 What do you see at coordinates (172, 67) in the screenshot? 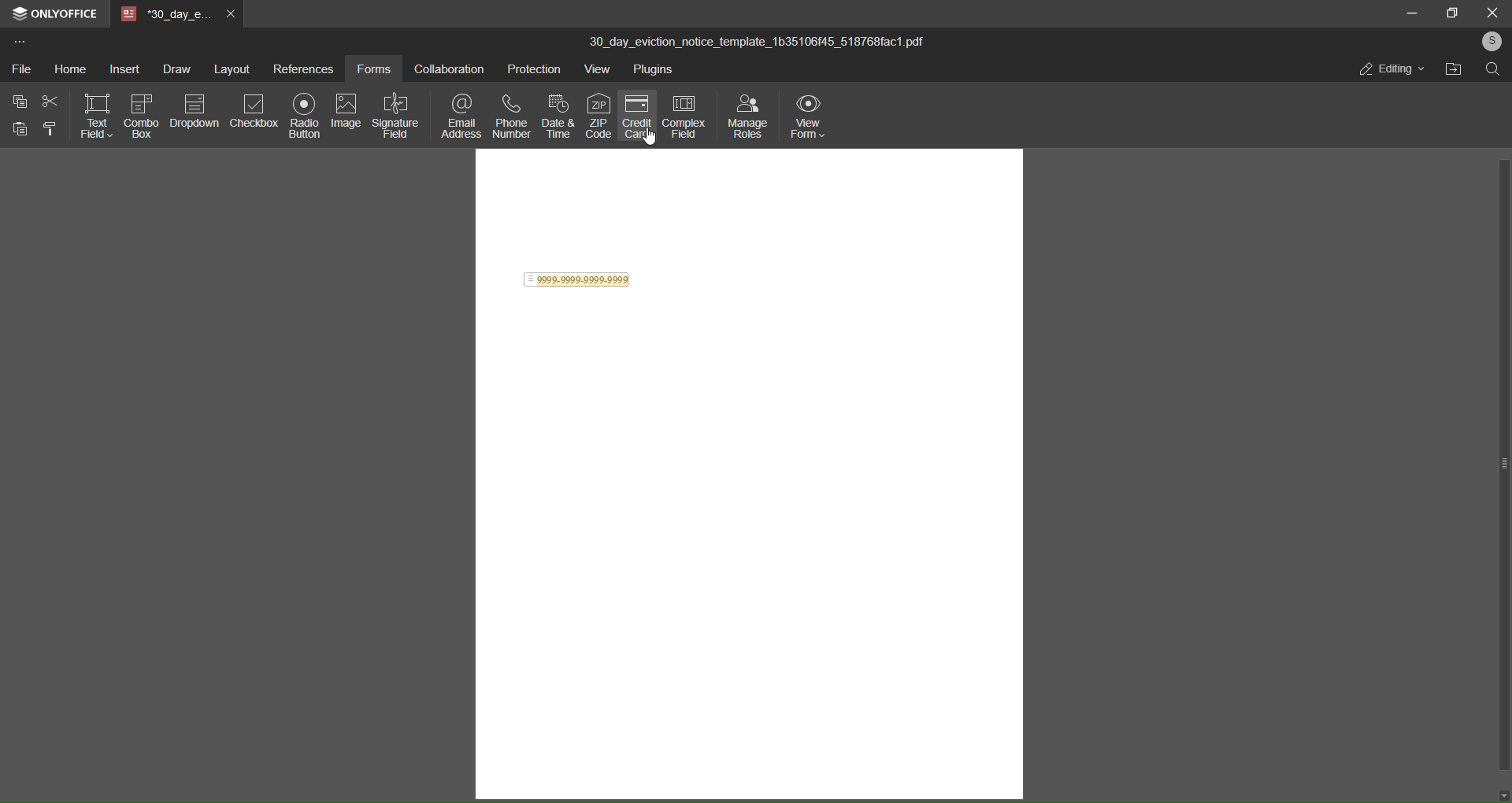
I see `draw` at bounding box center [172, 67].